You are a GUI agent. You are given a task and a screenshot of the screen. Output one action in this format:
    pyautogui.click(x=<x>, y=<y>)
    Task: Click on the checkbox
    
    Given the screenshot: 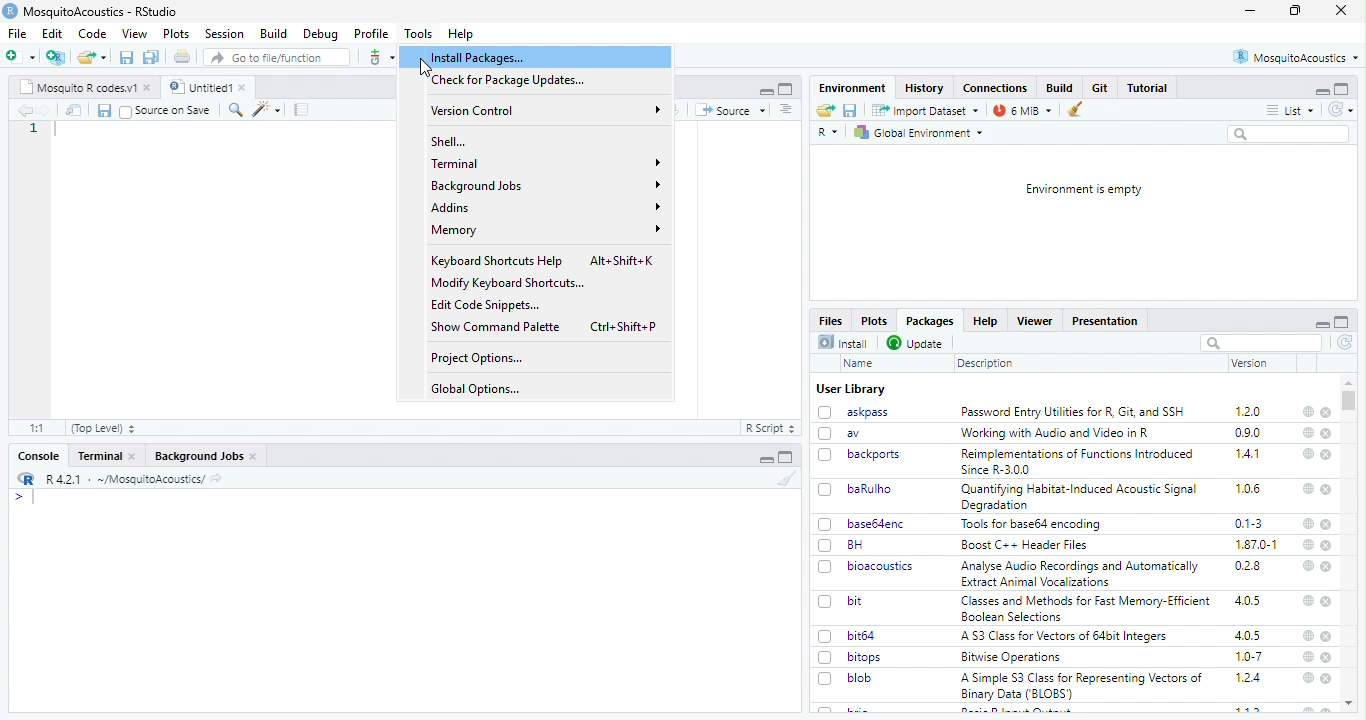 What is the action you would take?
    pyautogui.click(x=826, y=568)
    